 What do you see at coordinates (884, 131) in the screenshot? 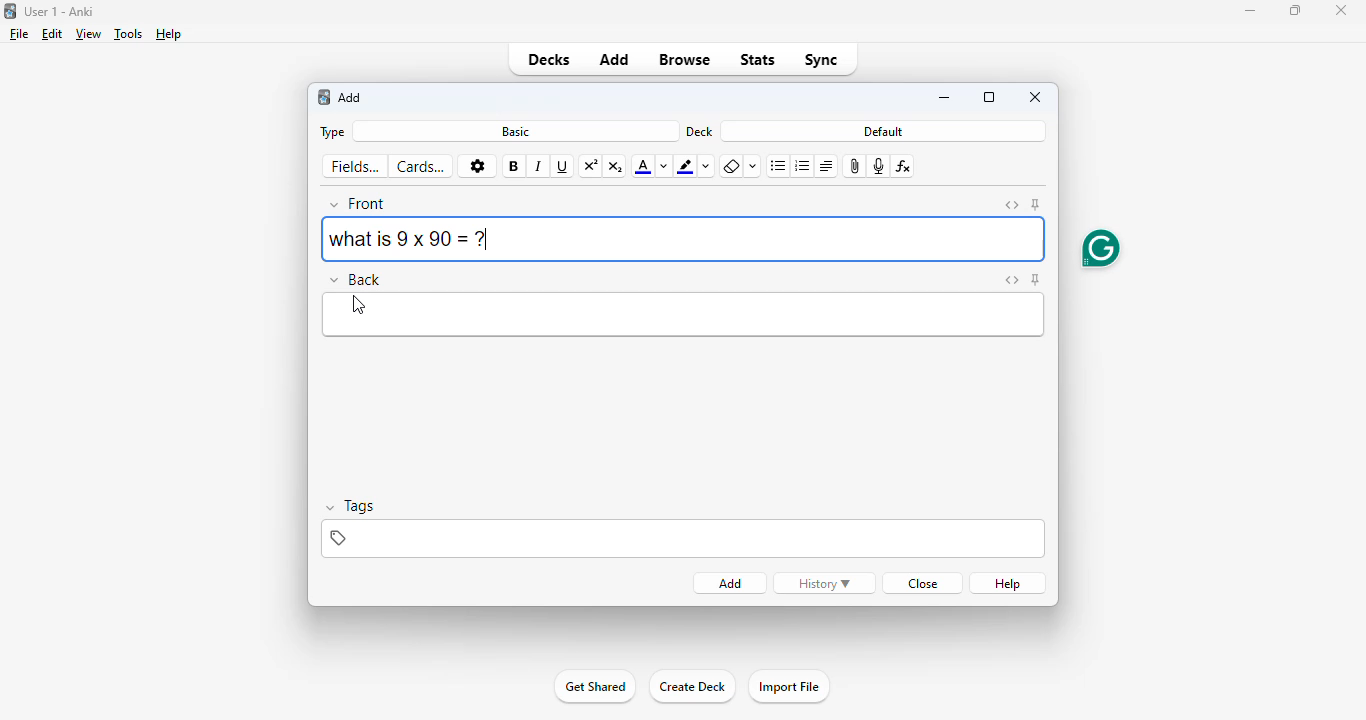
I see `default` at bounding box center [884, 131].